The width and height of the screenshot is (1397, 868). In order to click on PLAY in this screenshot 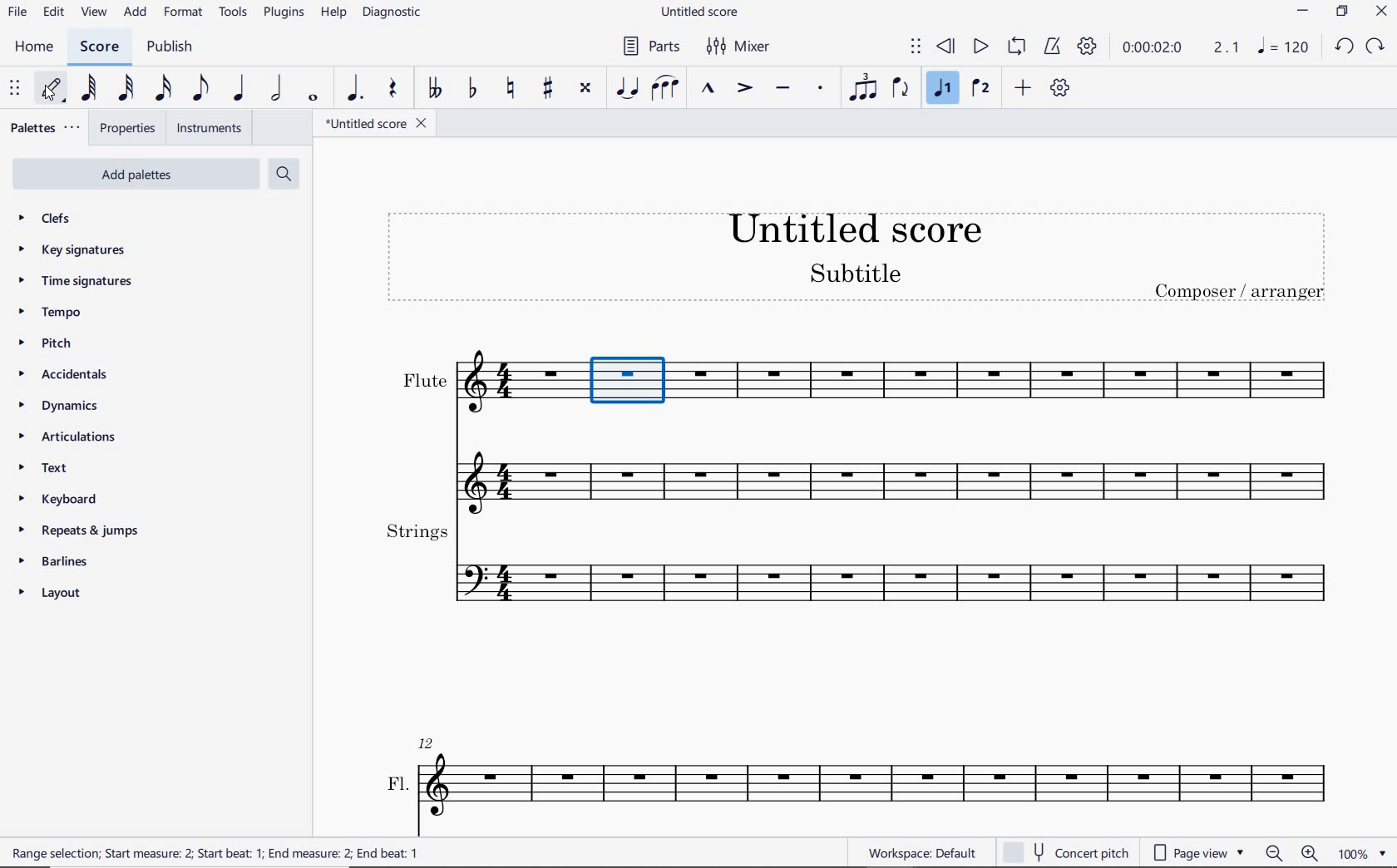, I will do `click(977, 47)`.